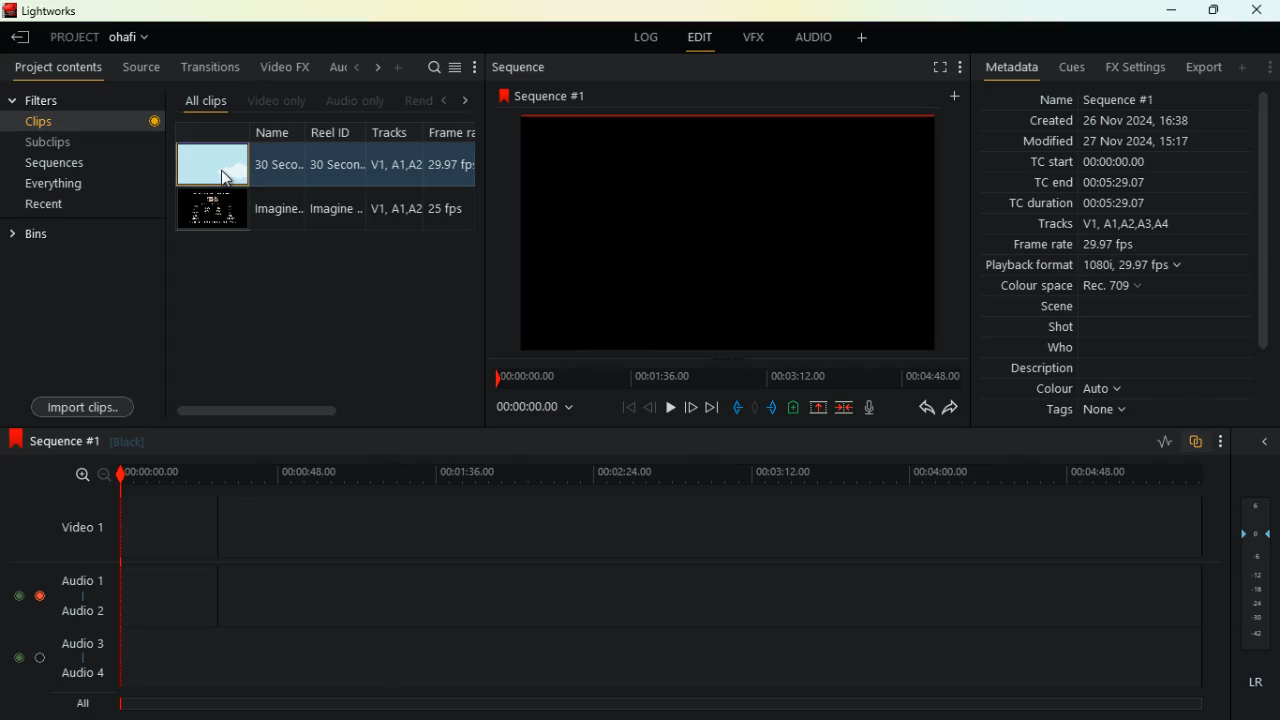  Describe the element at coordinates (1075, 246) in the screenshot. I see `frame rate` at that location.